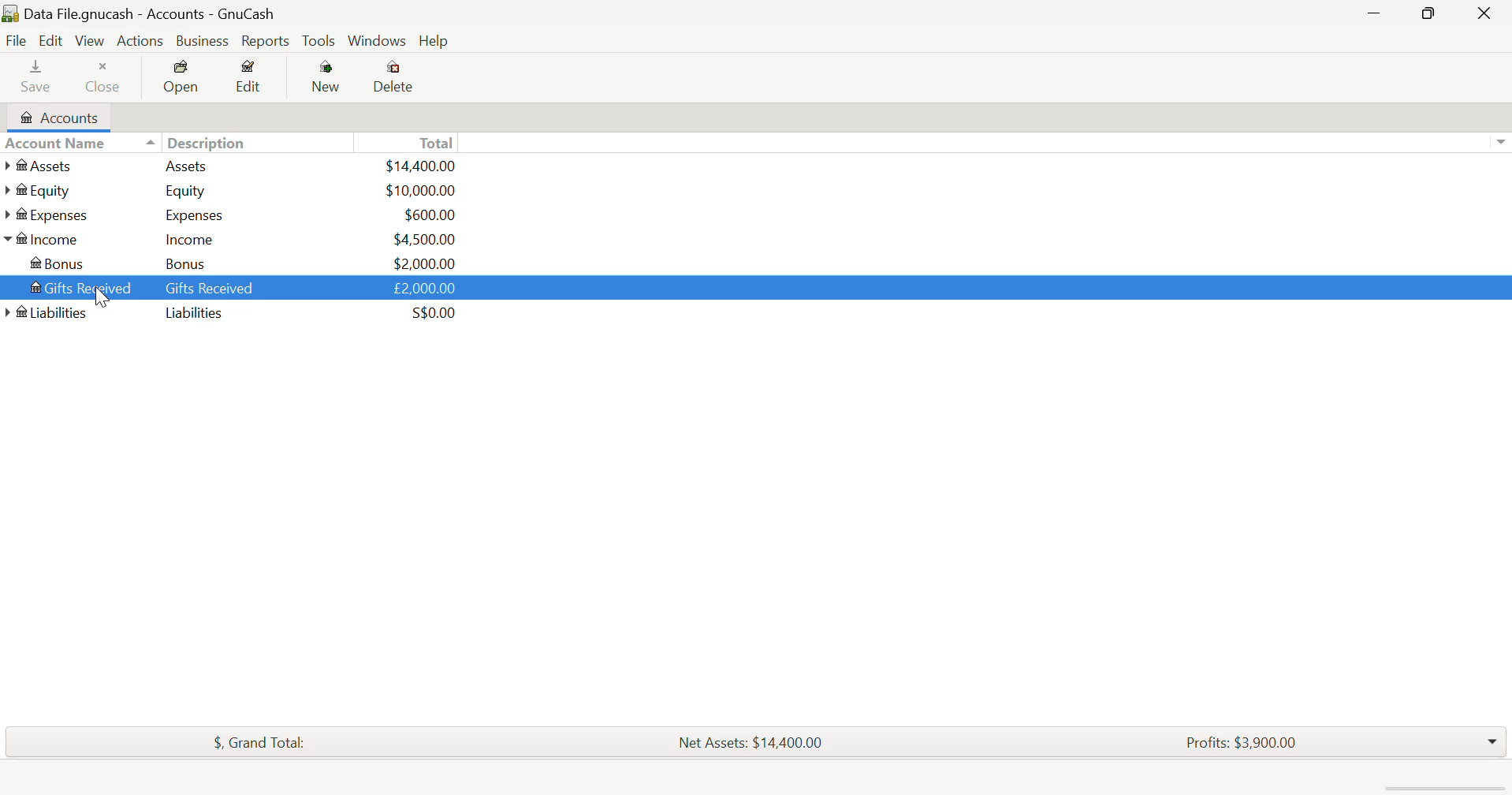  I want to click on USD, so click(423, 166).